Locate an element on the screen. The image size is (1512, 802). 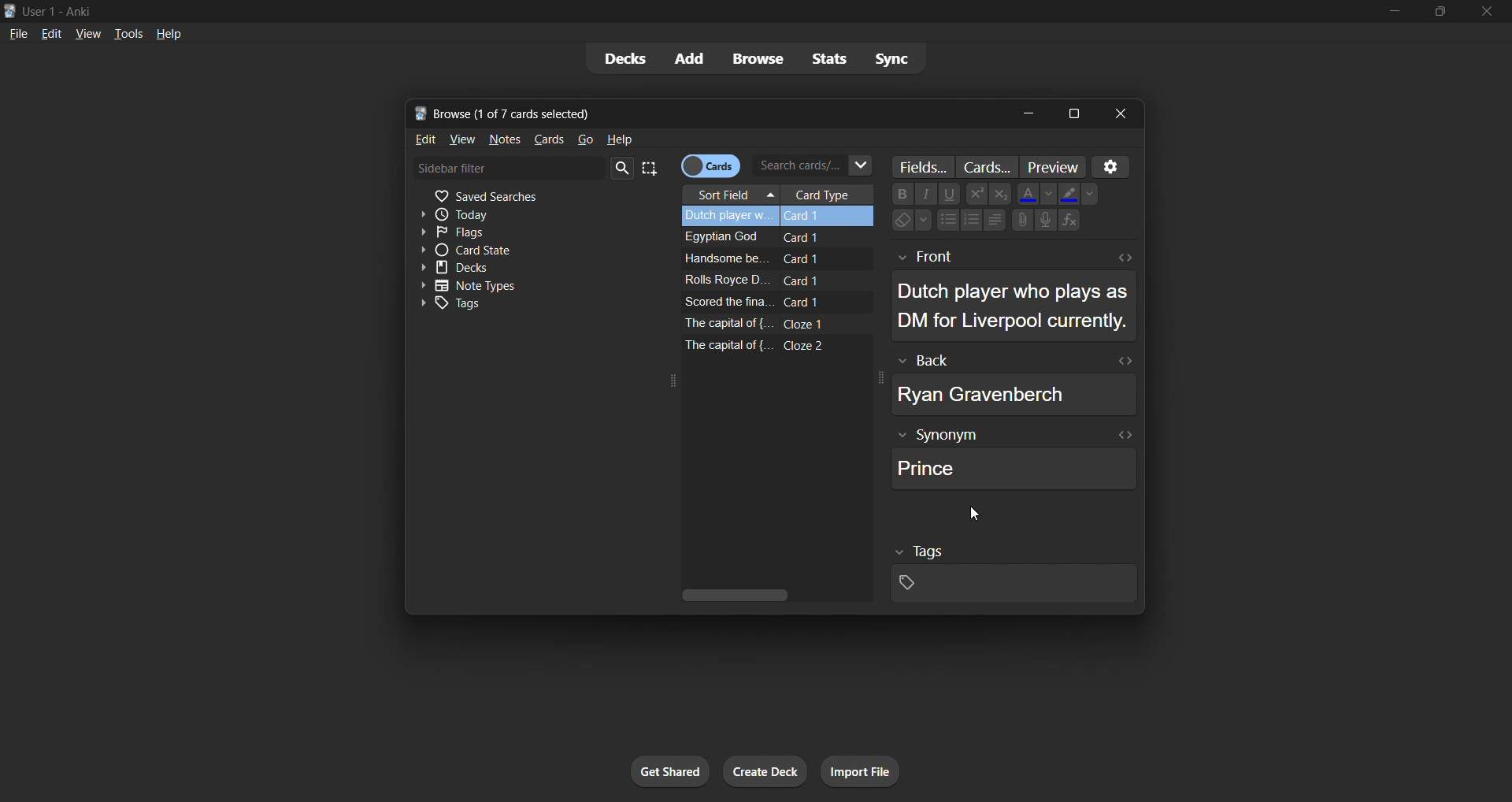
today filter toggle is located at coordinates (529, 215).